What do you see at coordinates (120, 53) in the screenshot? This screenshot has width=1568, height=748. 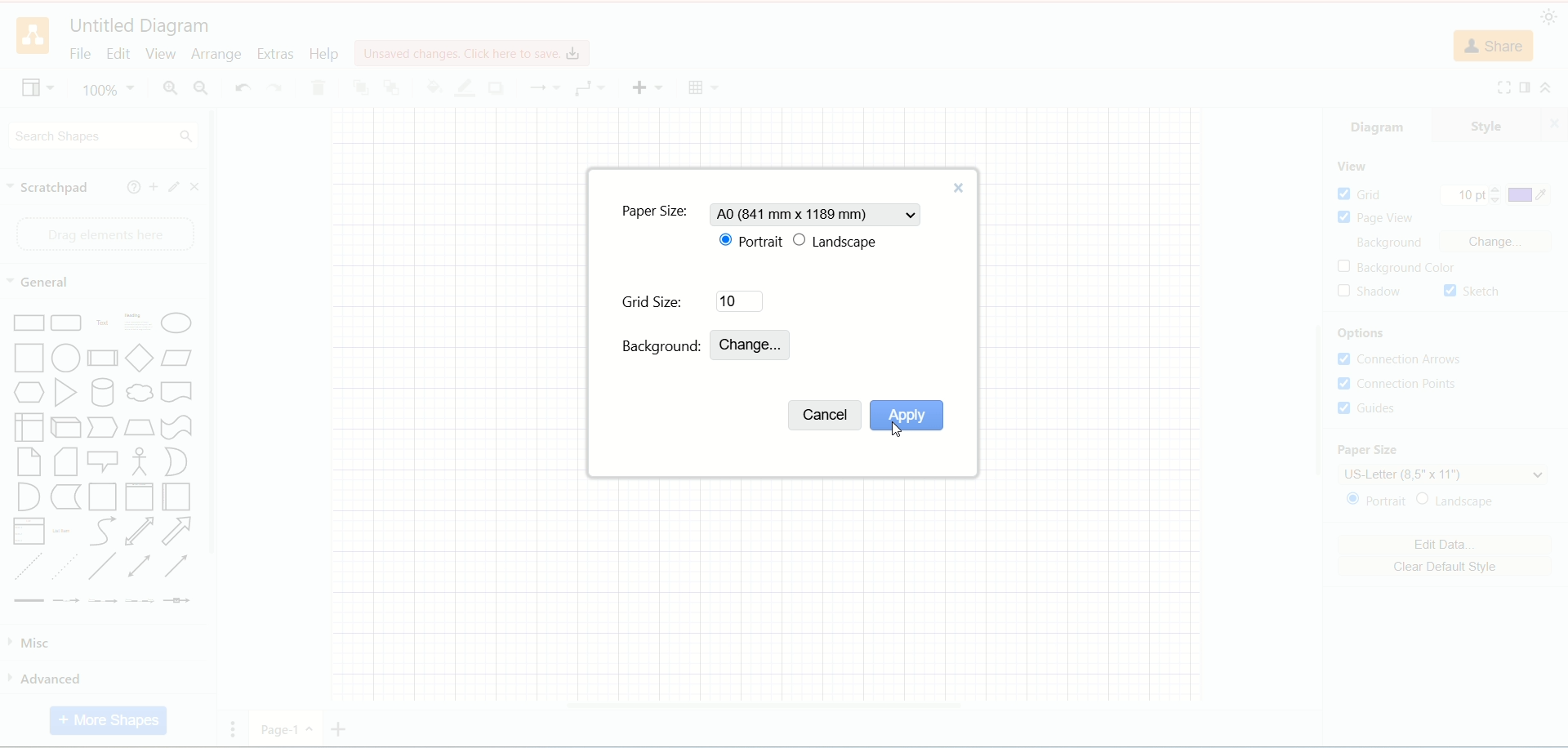 I see `edit` at bounding box center [120, 53].